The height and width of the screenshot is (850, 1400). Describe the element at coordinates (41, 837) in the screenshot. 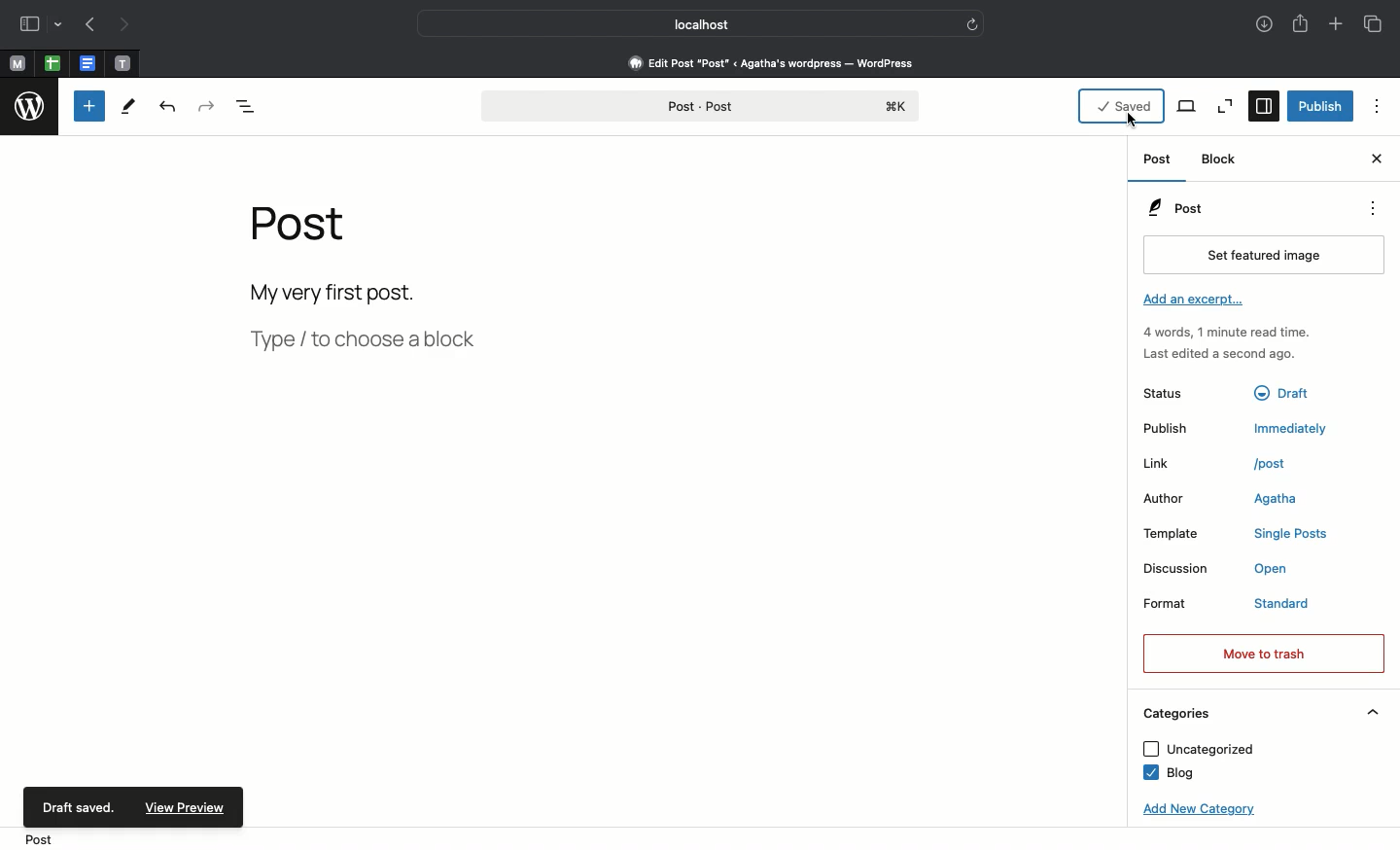

I see `Post` at that location.